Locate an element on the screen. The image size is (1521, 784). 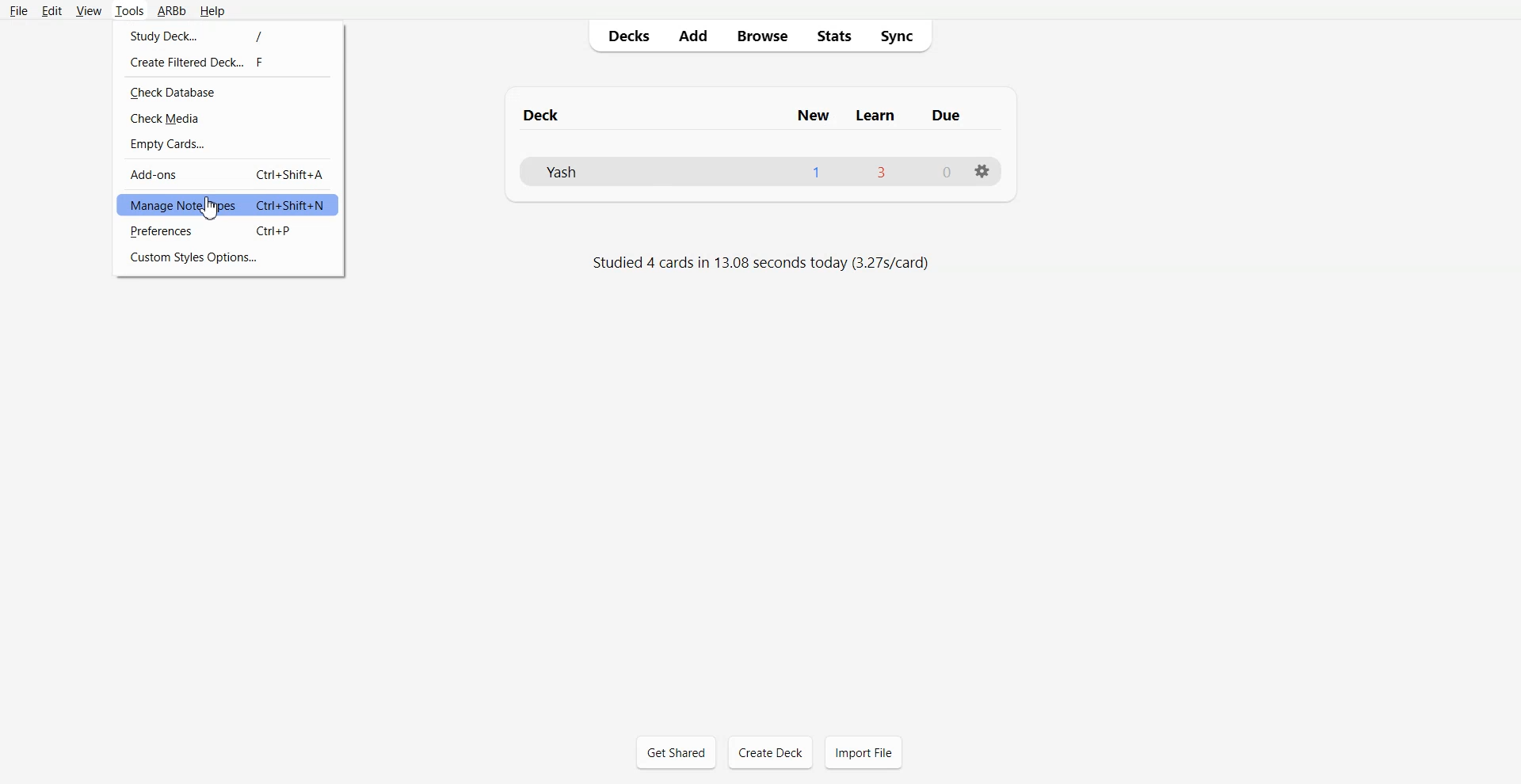
cursor is located at coordinates (216, 210).